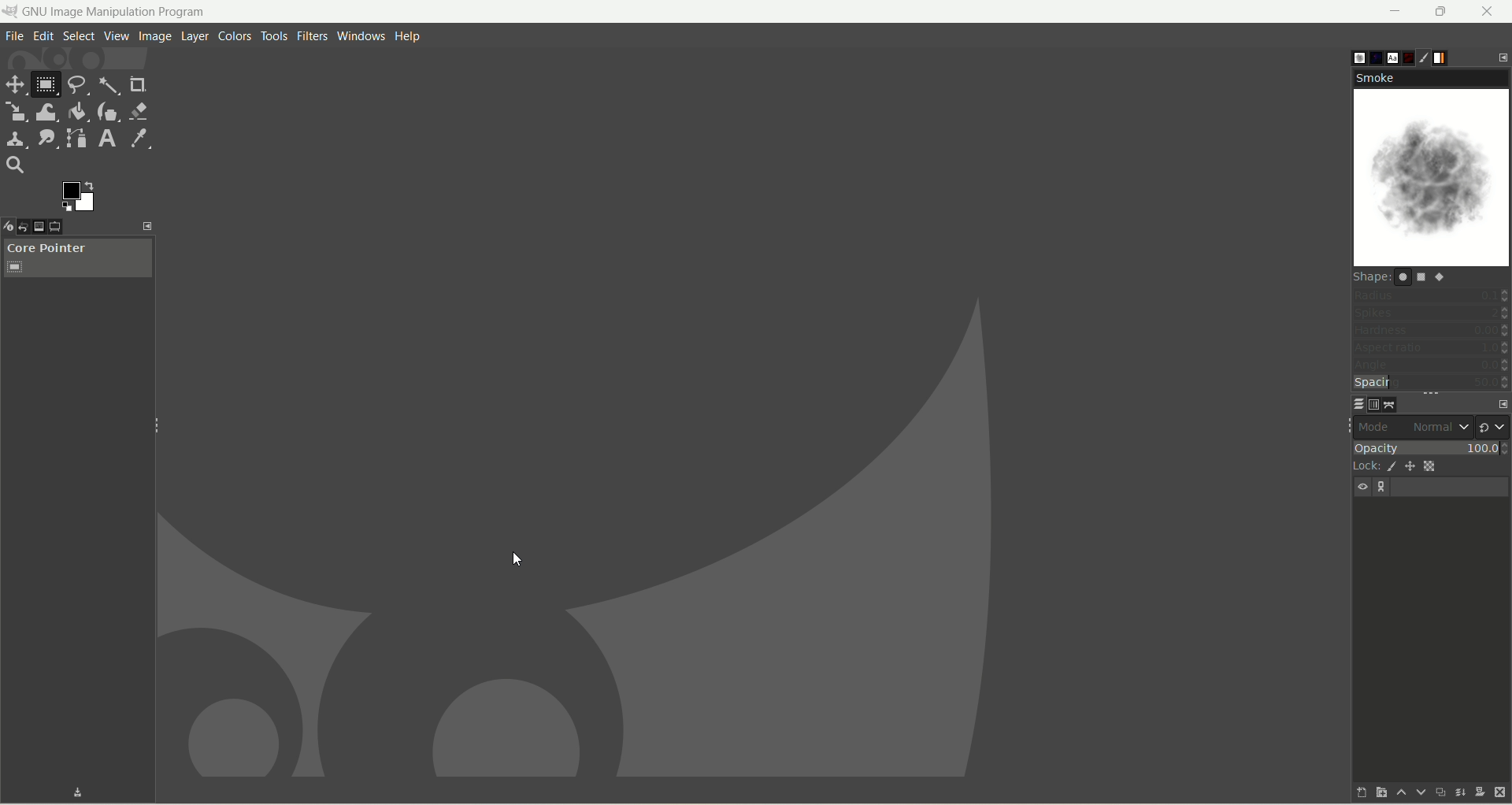  I want to click on lock alpha channel, so click(1436, 466).